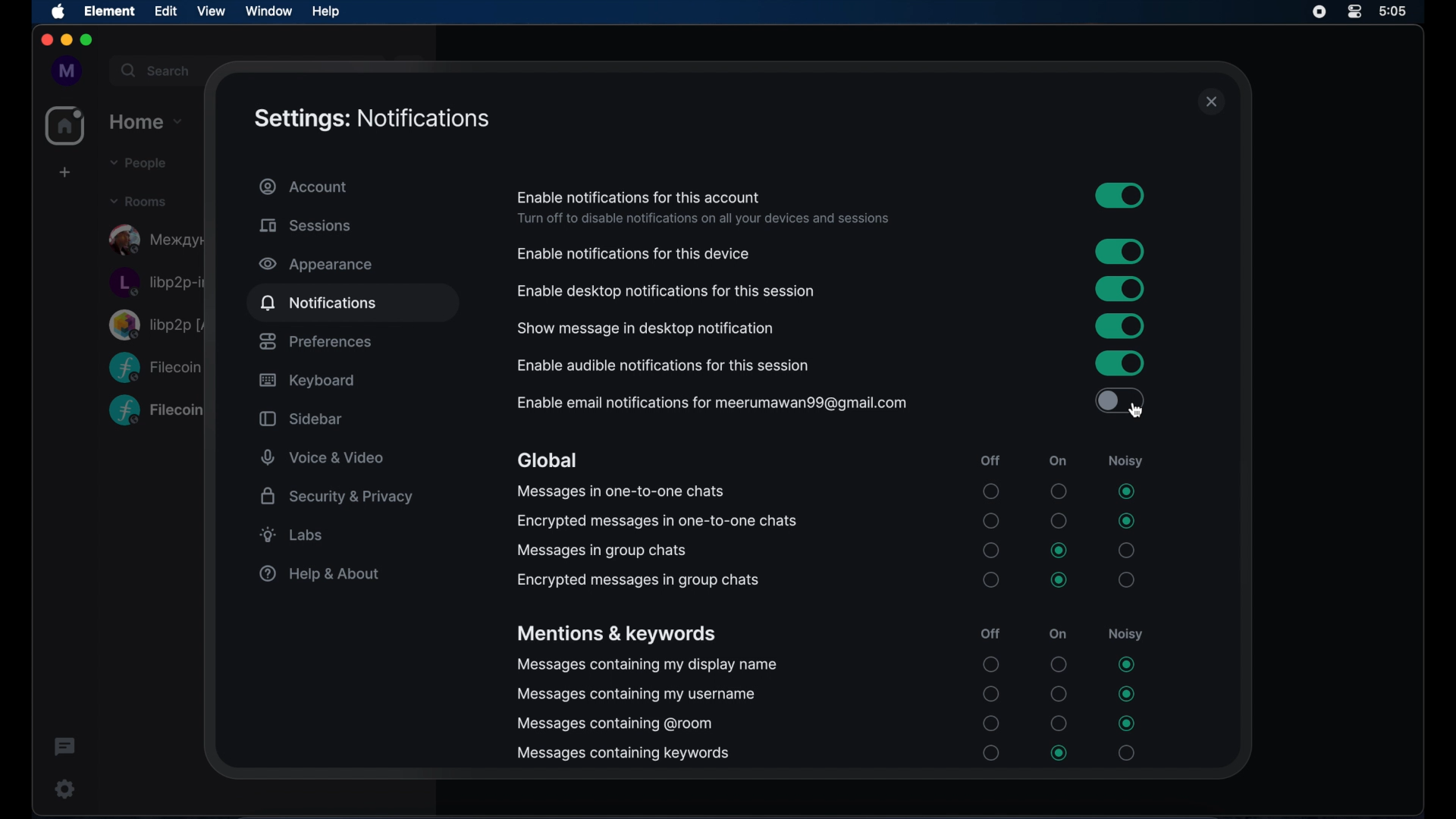 This screenshot has height=819, width=1456. Describe the element at coordinates (1058, 491) in the screenshot. I see `radio button` at that location.